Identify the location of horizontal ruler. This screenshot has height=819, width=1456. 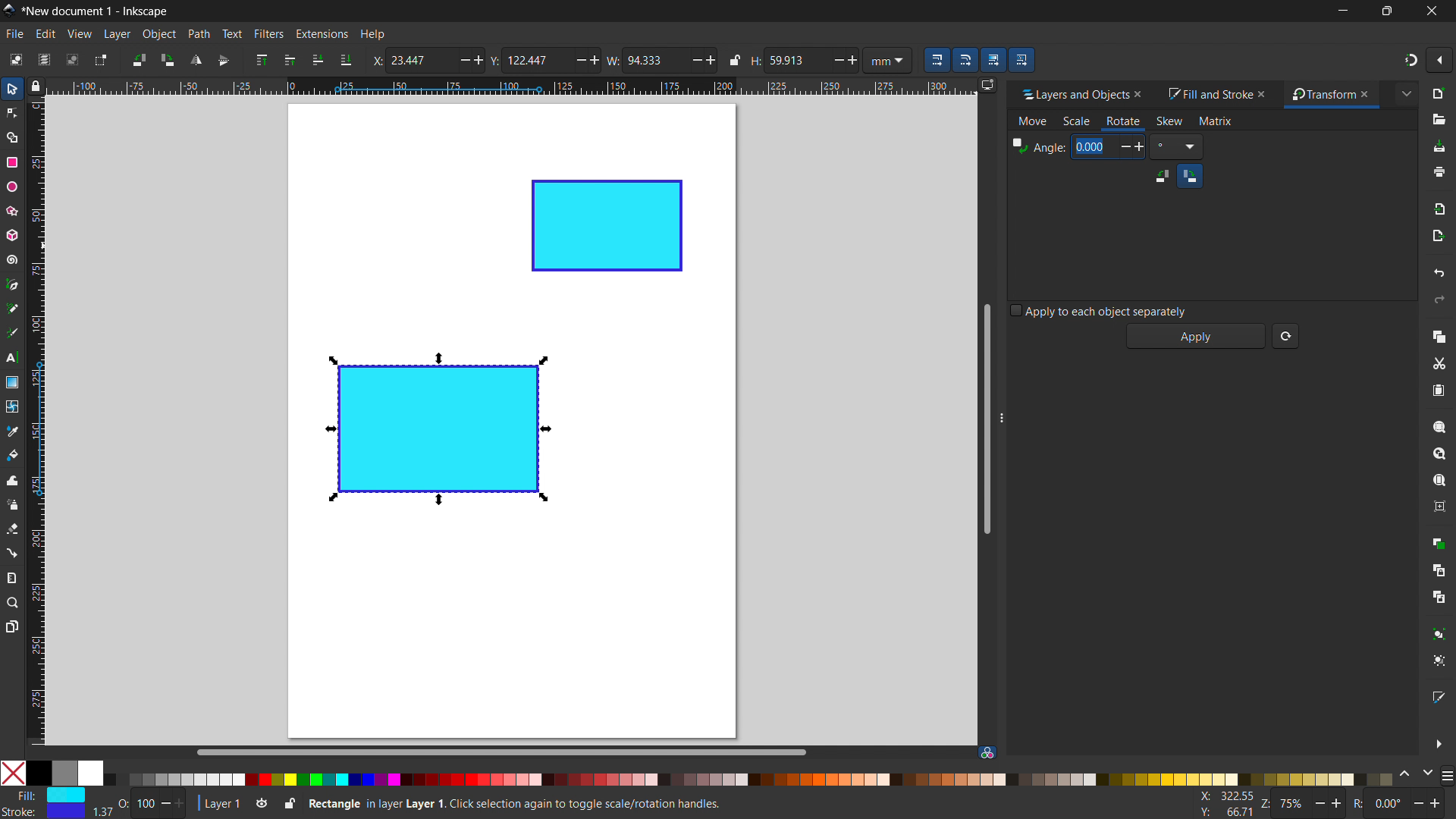
(510, 88).